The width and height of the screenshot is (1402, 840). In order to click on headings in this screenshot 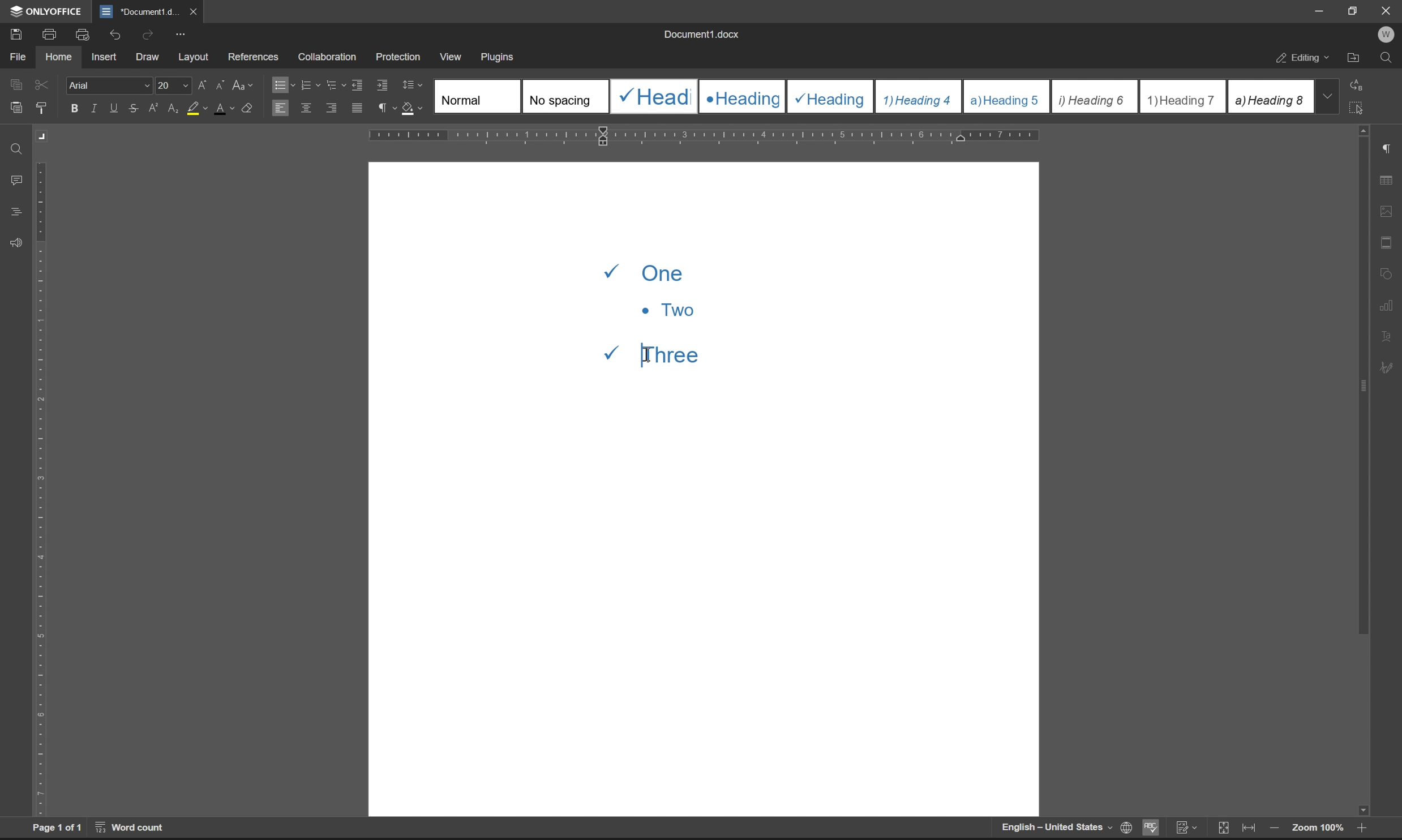, I will do `click(16, 212)`.